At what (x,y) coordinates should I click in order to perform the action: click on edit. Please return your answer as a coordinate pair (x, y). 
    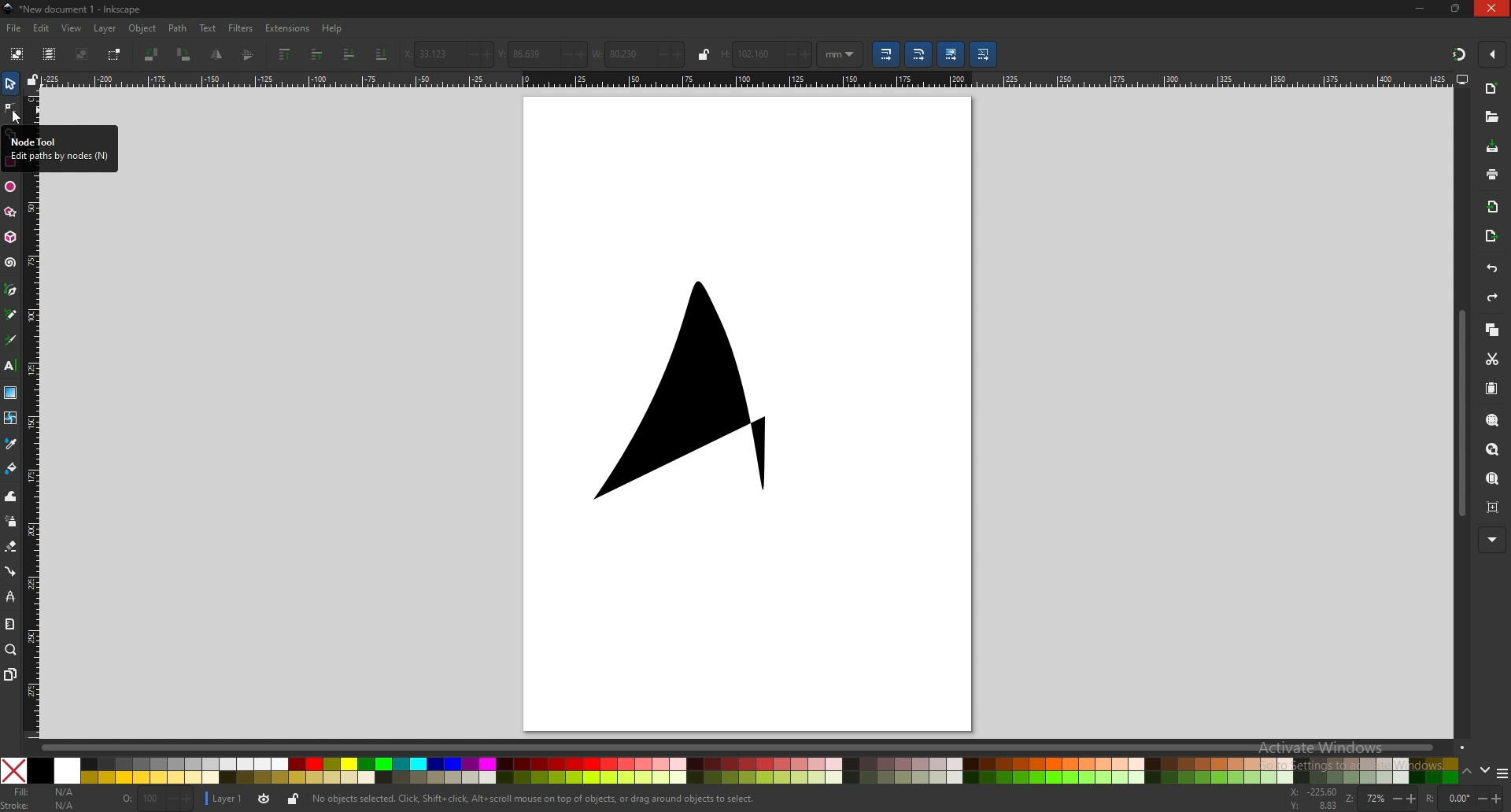
    Looking at the image, I should click on (42, 29).